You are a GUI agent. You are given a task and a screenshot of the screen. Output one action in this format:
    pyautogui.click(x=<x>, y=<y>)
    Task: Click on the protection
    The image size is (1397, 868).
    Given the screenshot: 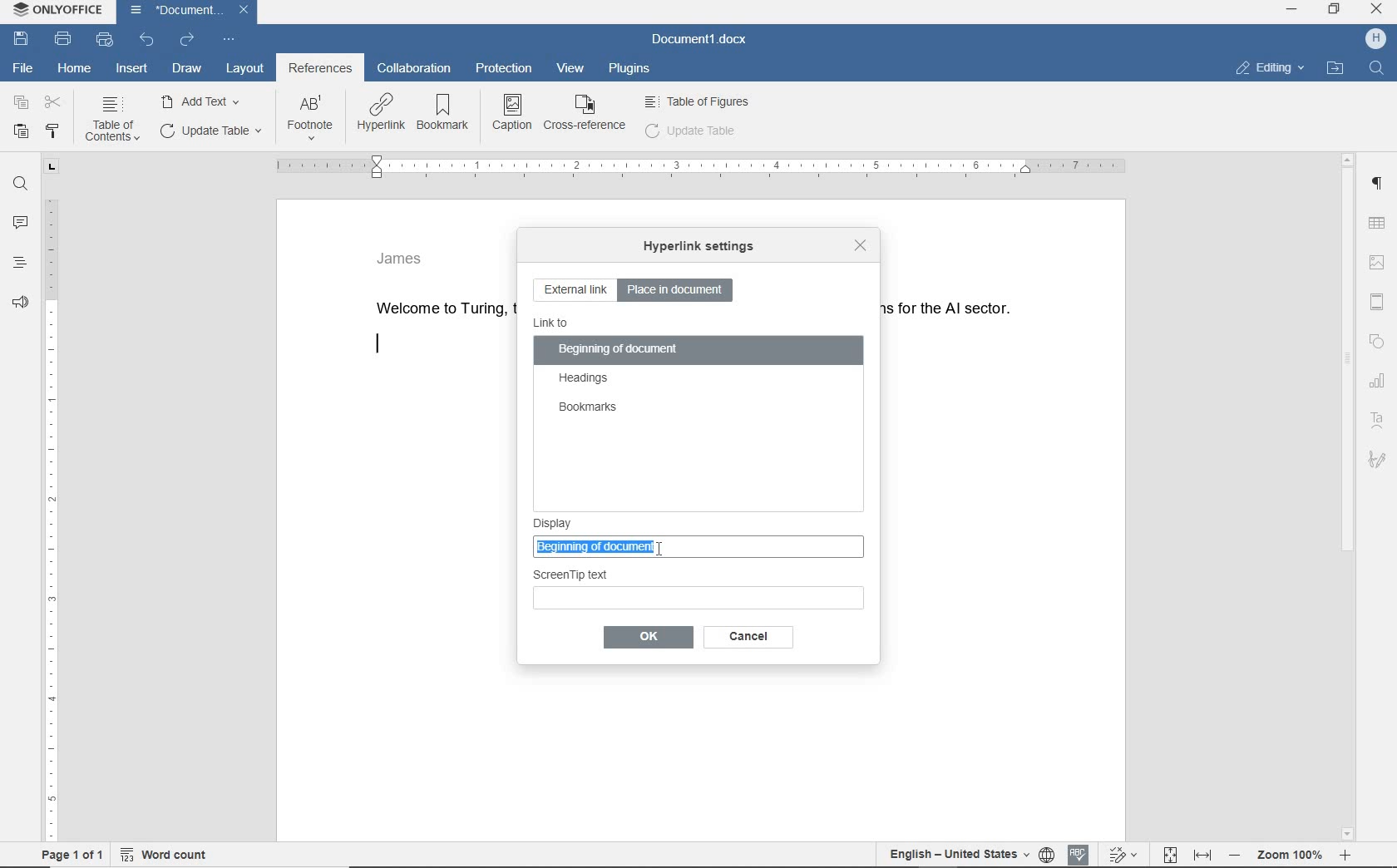 What is the action you would take?
    pyautogui.click(x=506, y=70)
    